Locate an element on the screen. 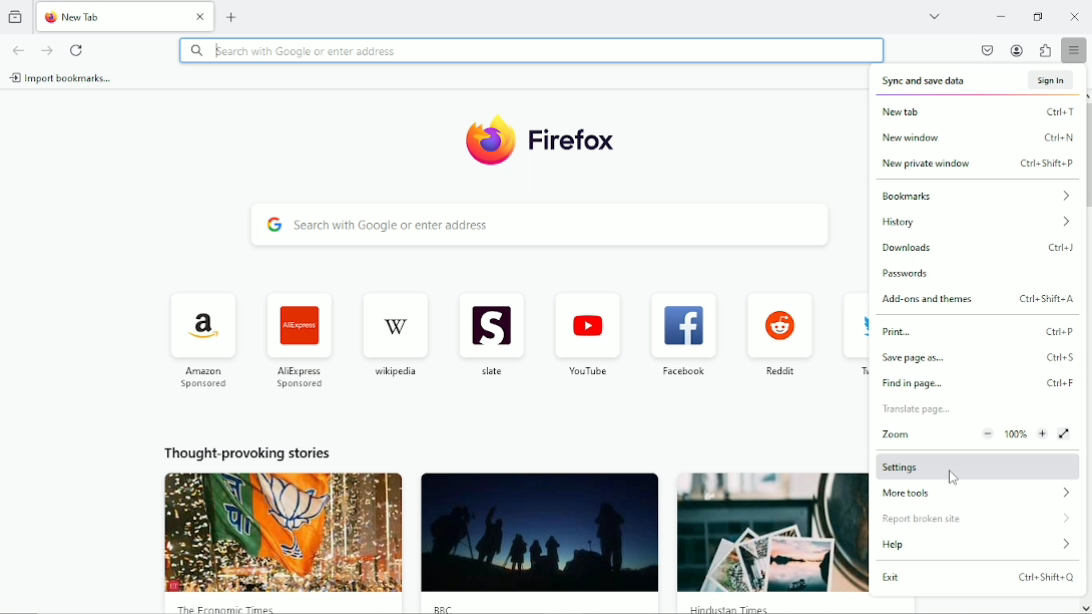  Open application menu is located at coordinates (1073, 49).